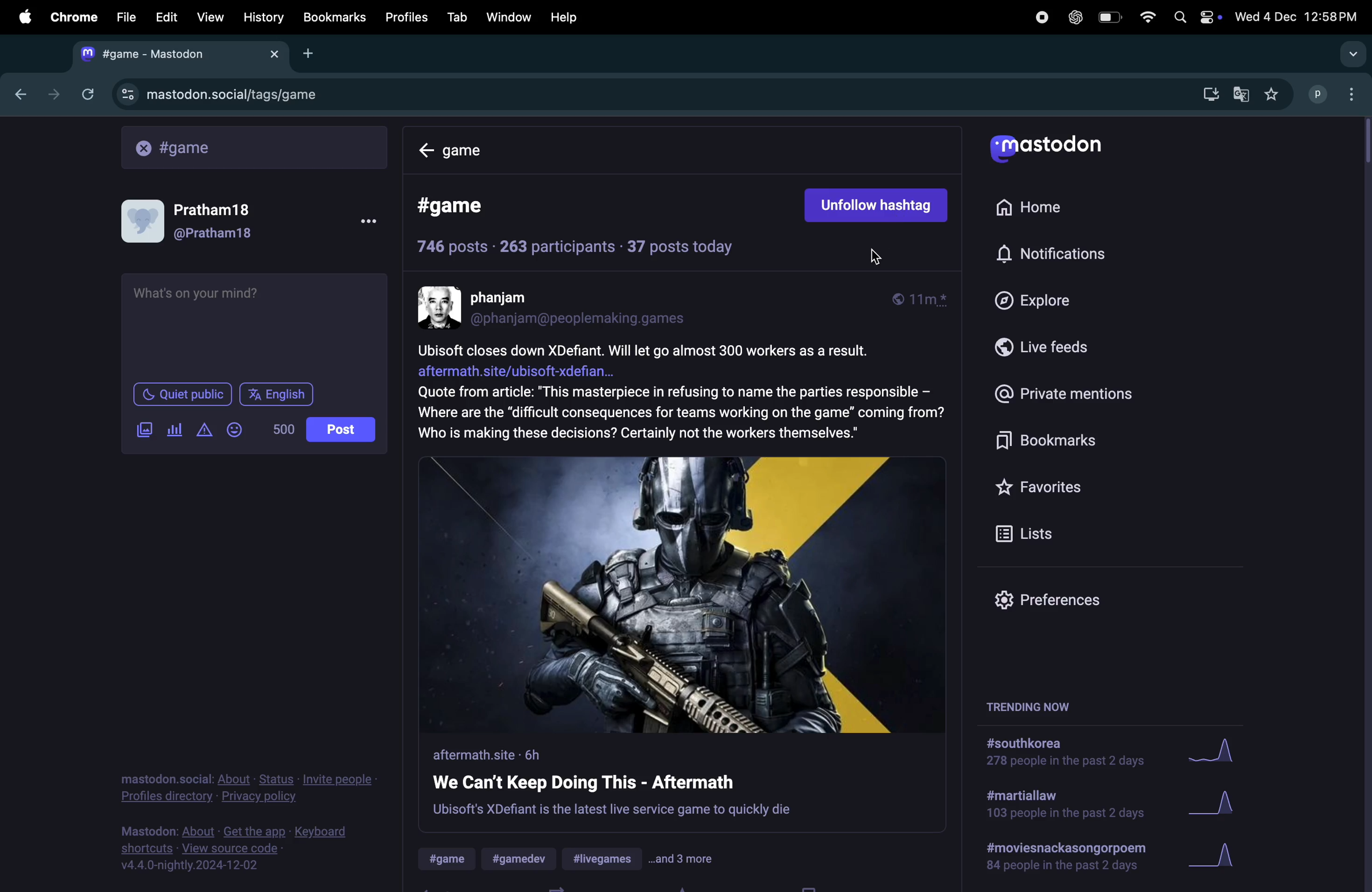 This screenshot has height=892, width=1372. What do you see at coordinates (1041, 17) in the screenshot?
I see `record` at bounding box center [1041, 17].